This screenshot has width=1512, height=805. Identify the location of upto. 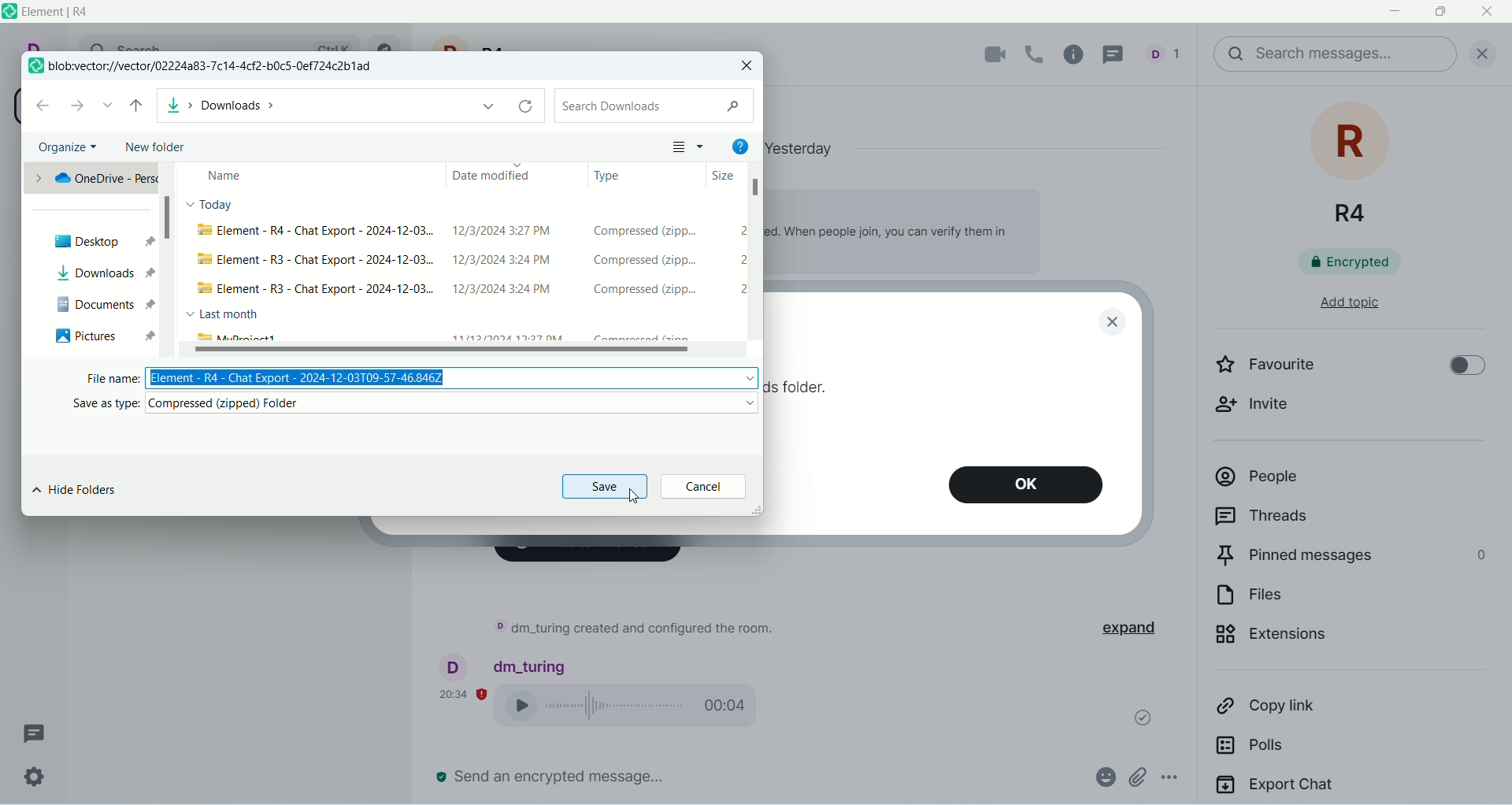
(140, 101).